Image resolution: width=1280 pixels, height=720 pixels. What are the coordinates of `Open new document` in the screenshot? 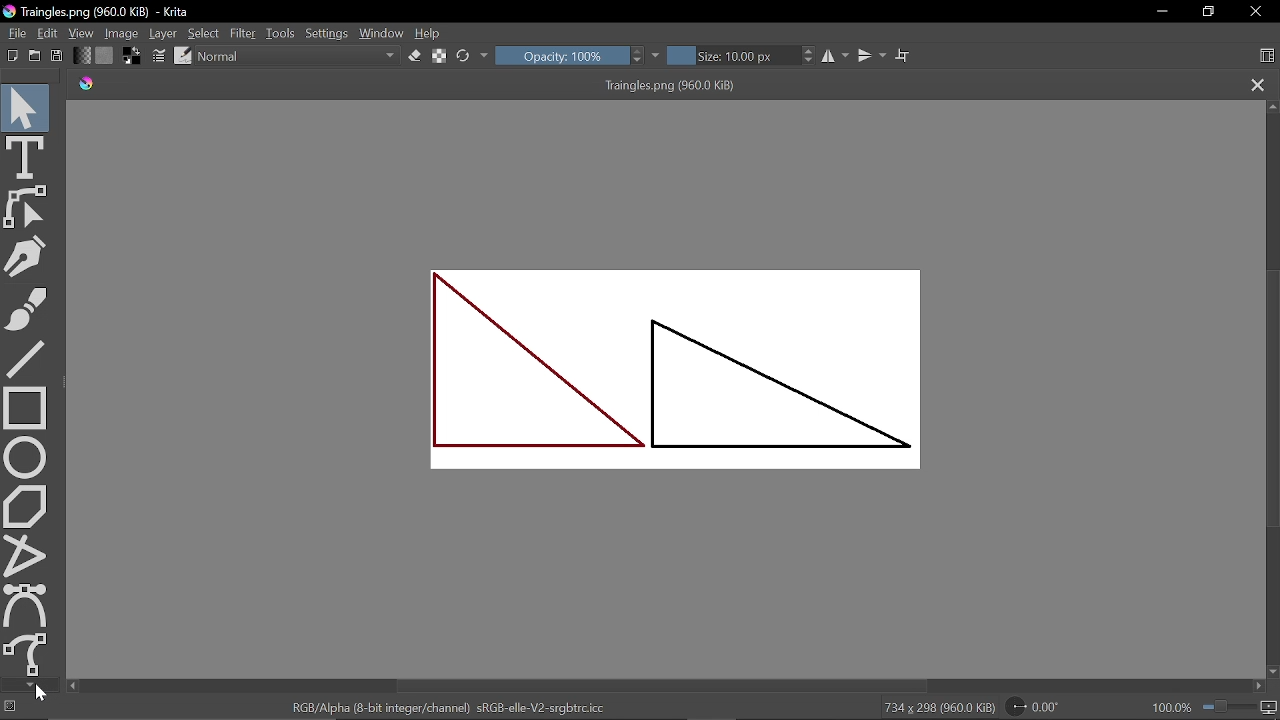 It's located at (35, 56).